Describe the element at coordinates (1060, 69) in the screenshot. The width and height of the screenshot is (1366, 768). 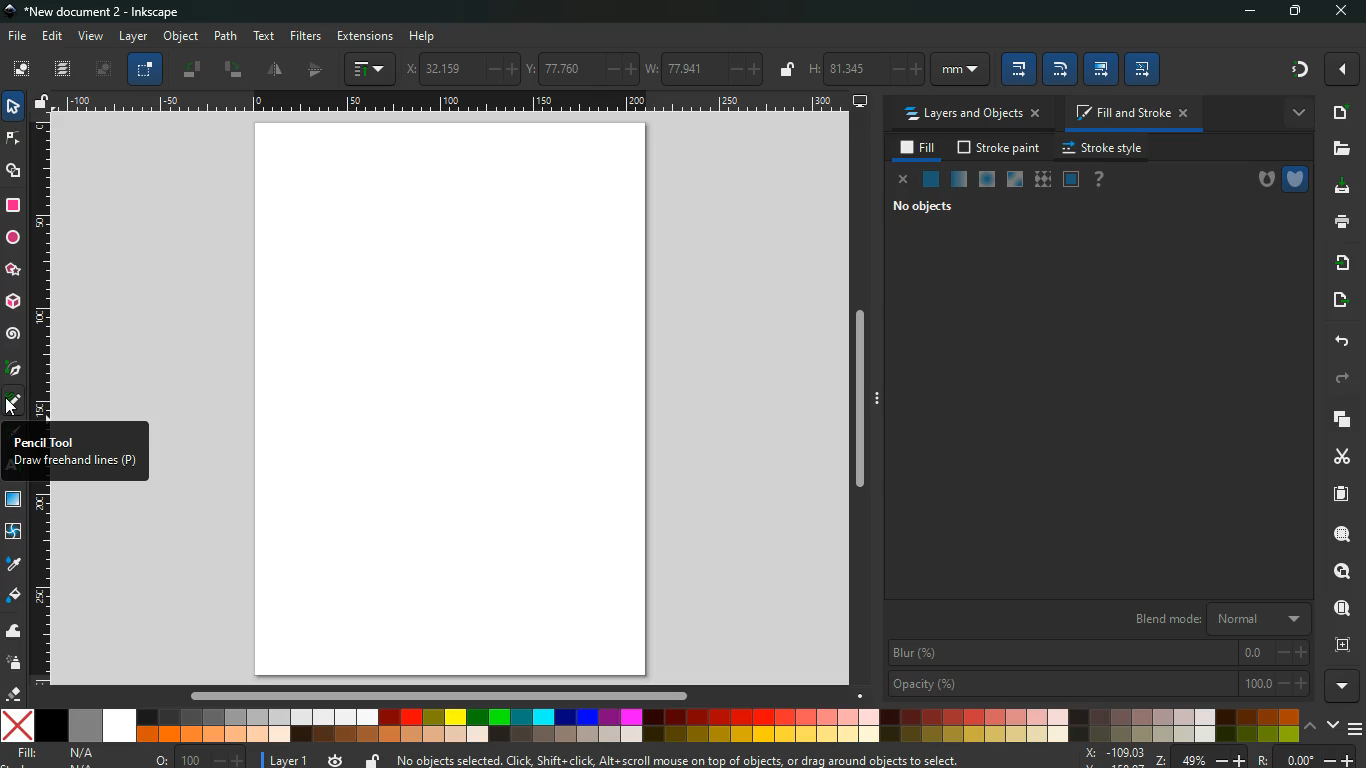
I see `edit` at that location.